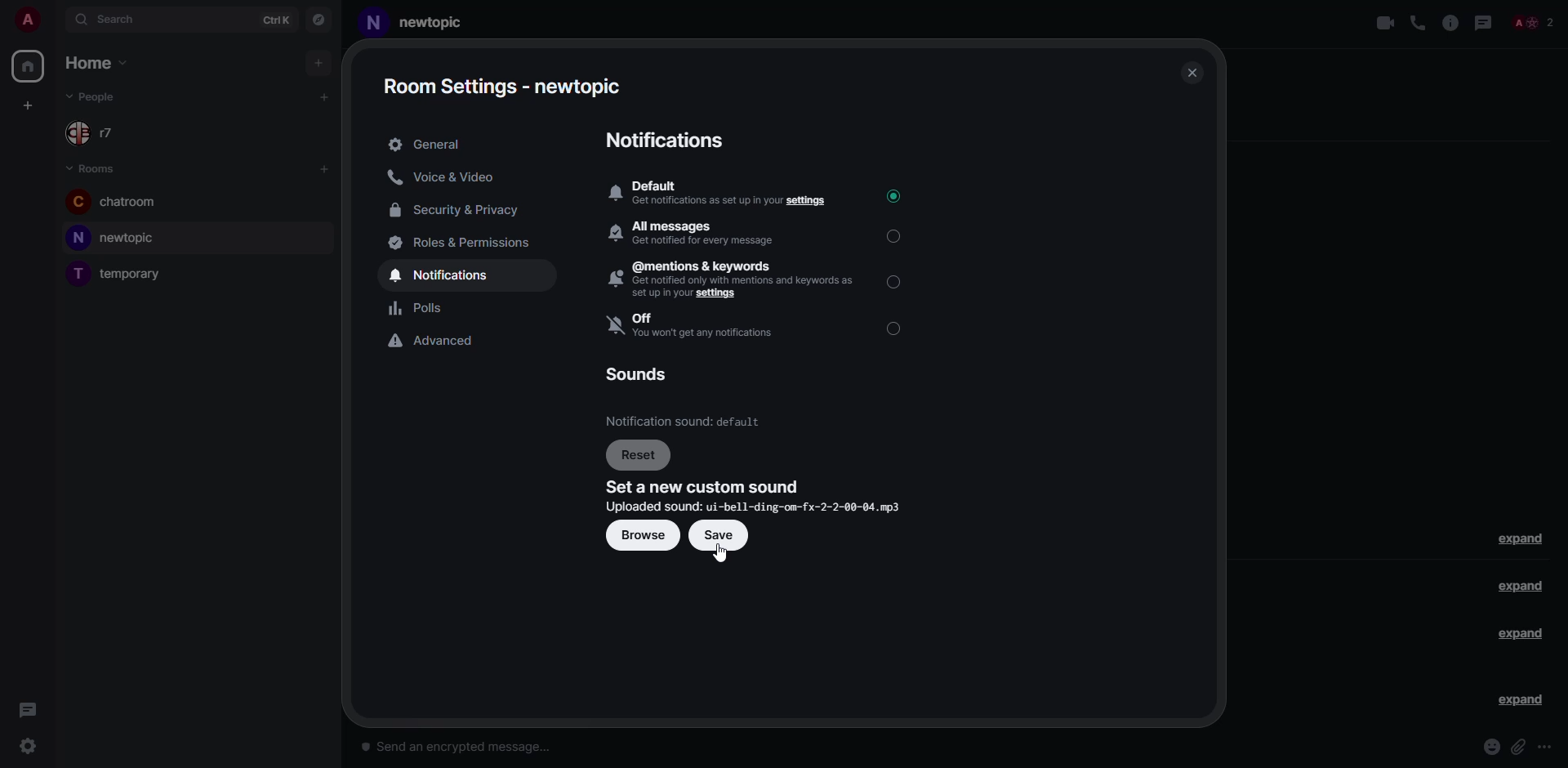  What do you see at coordinates (898, 235) in the screenshot?
I see `select` at bounding box center [898, 235].